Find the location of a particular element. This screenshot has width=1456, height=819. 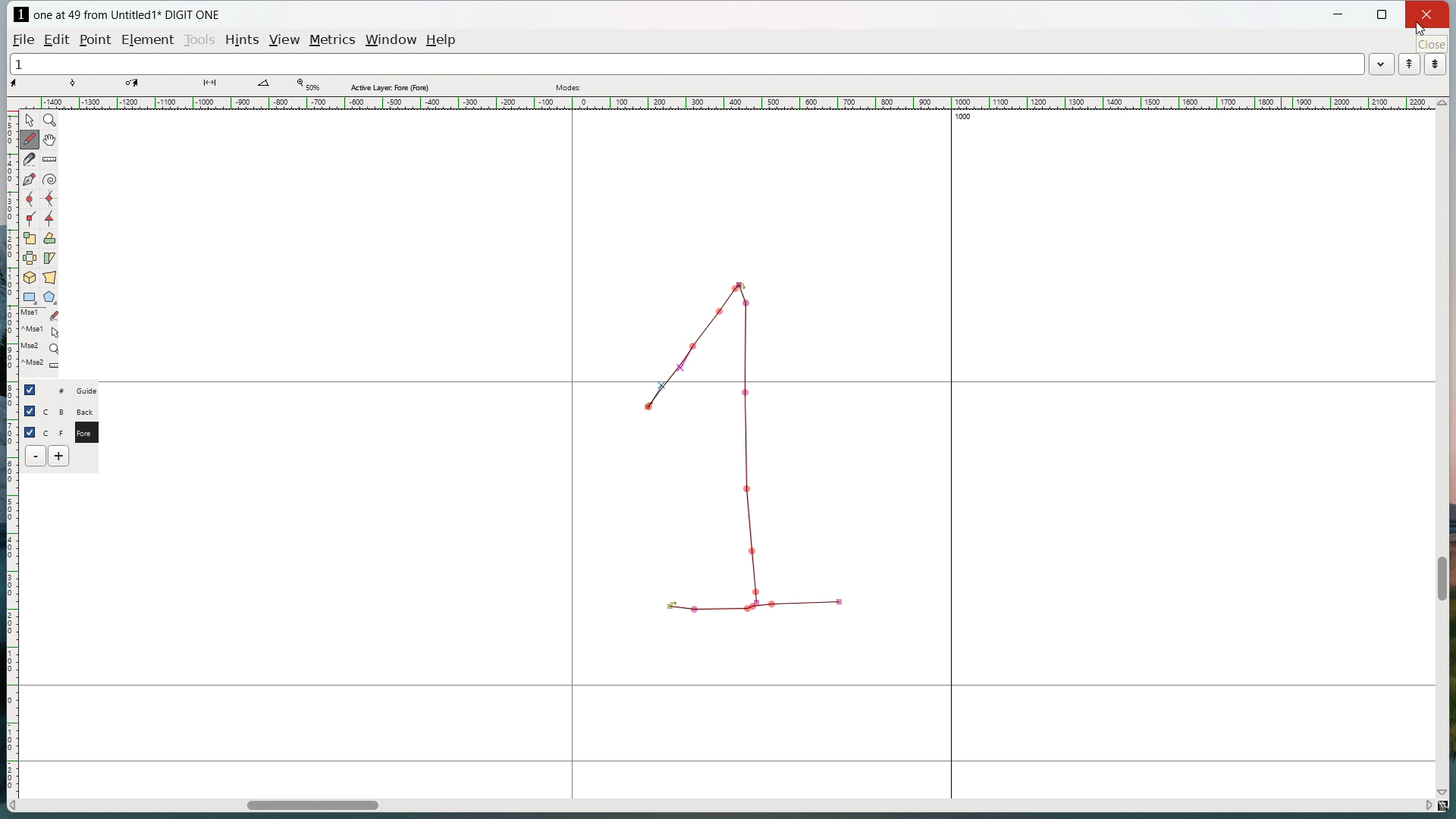

Complete Sketching 1 is located at coordinates (737, 441).